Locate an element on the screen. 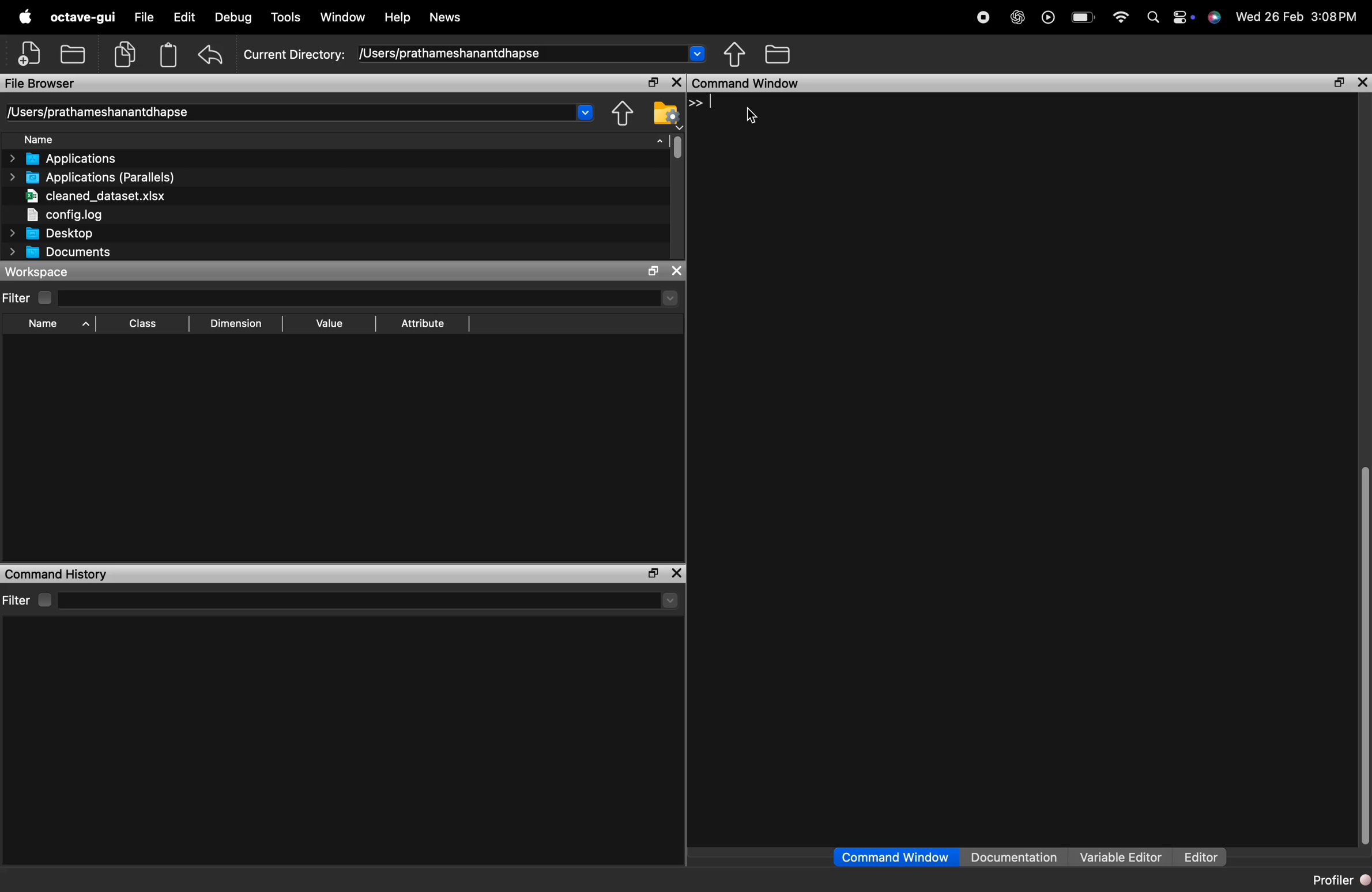 This screenshot has width=1372, height=892. close is located at coordinates (652, 573).